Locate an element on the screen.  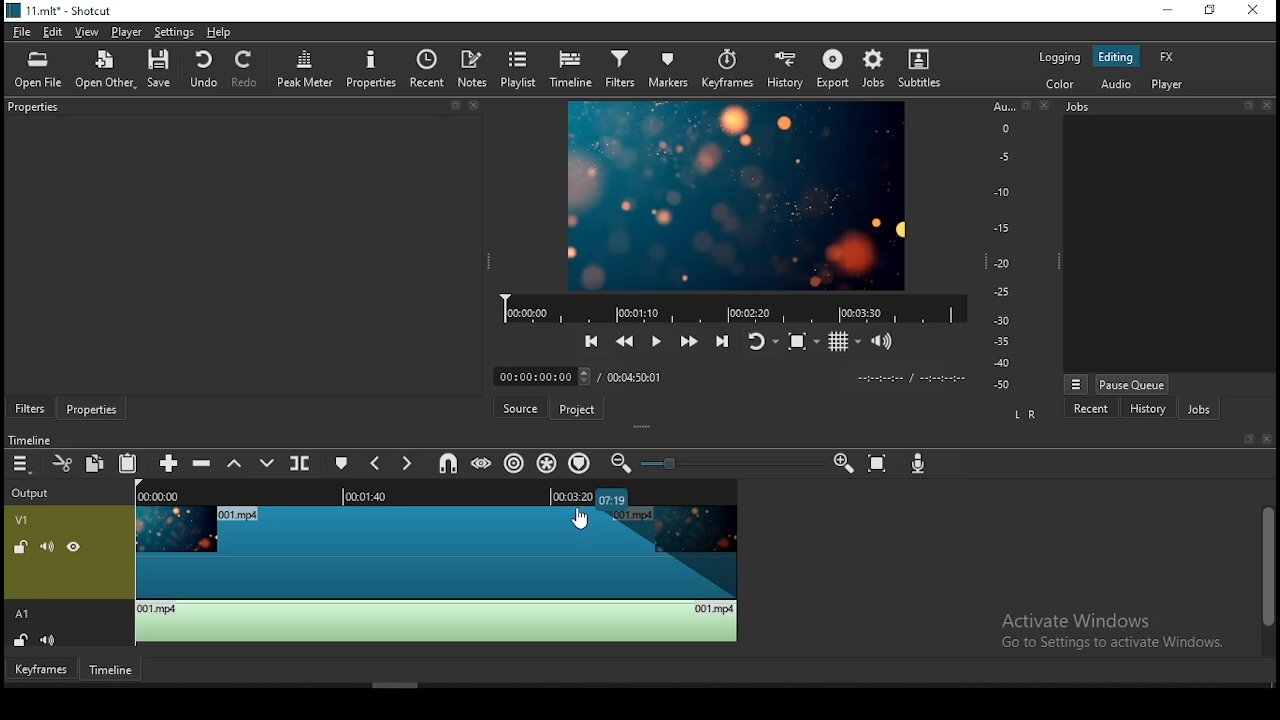
jobs is located at coordinates (880, 69).